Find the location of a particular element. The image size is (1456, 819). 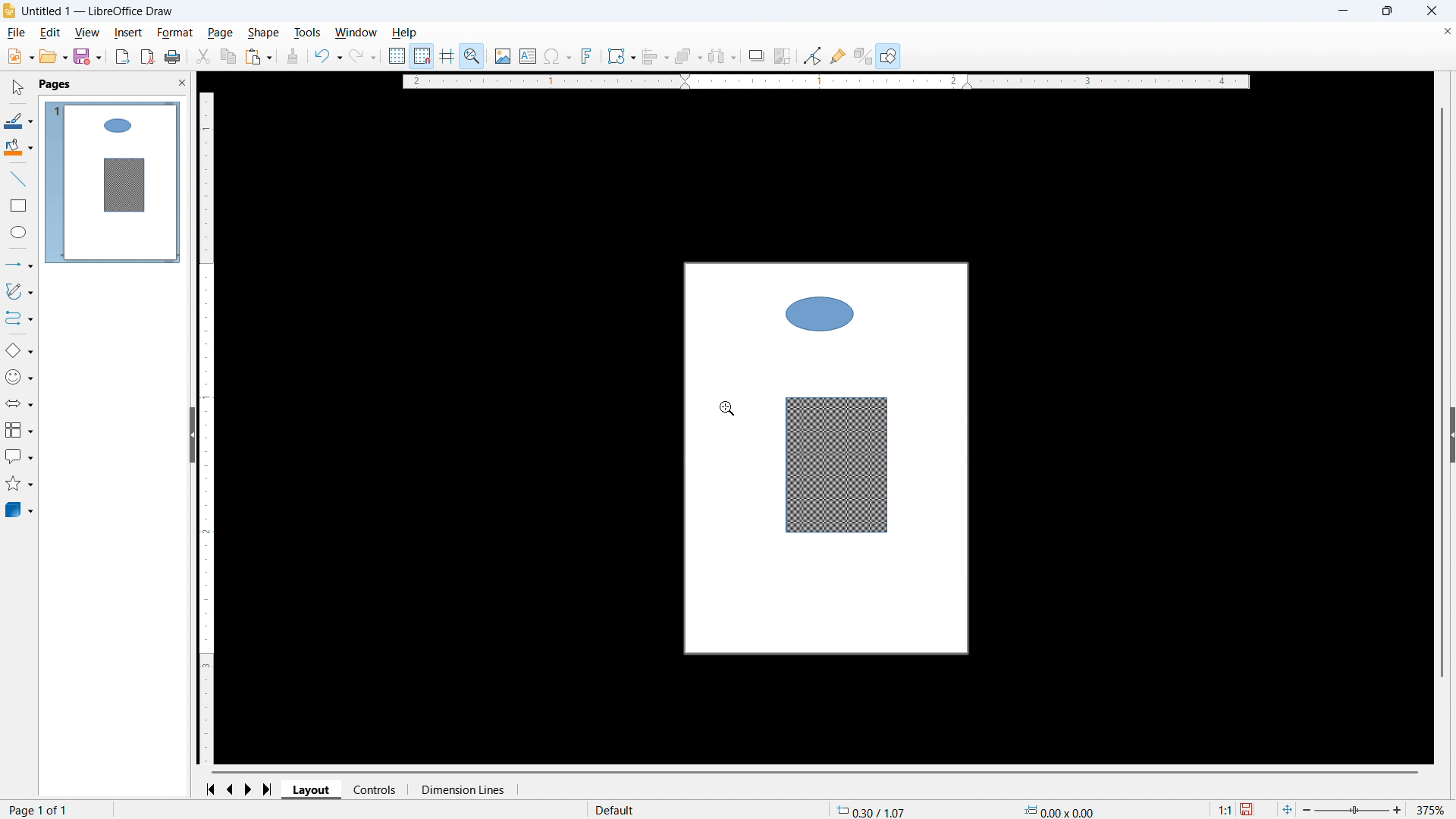

Scaling factor  is located at coordinates (1224, 809).